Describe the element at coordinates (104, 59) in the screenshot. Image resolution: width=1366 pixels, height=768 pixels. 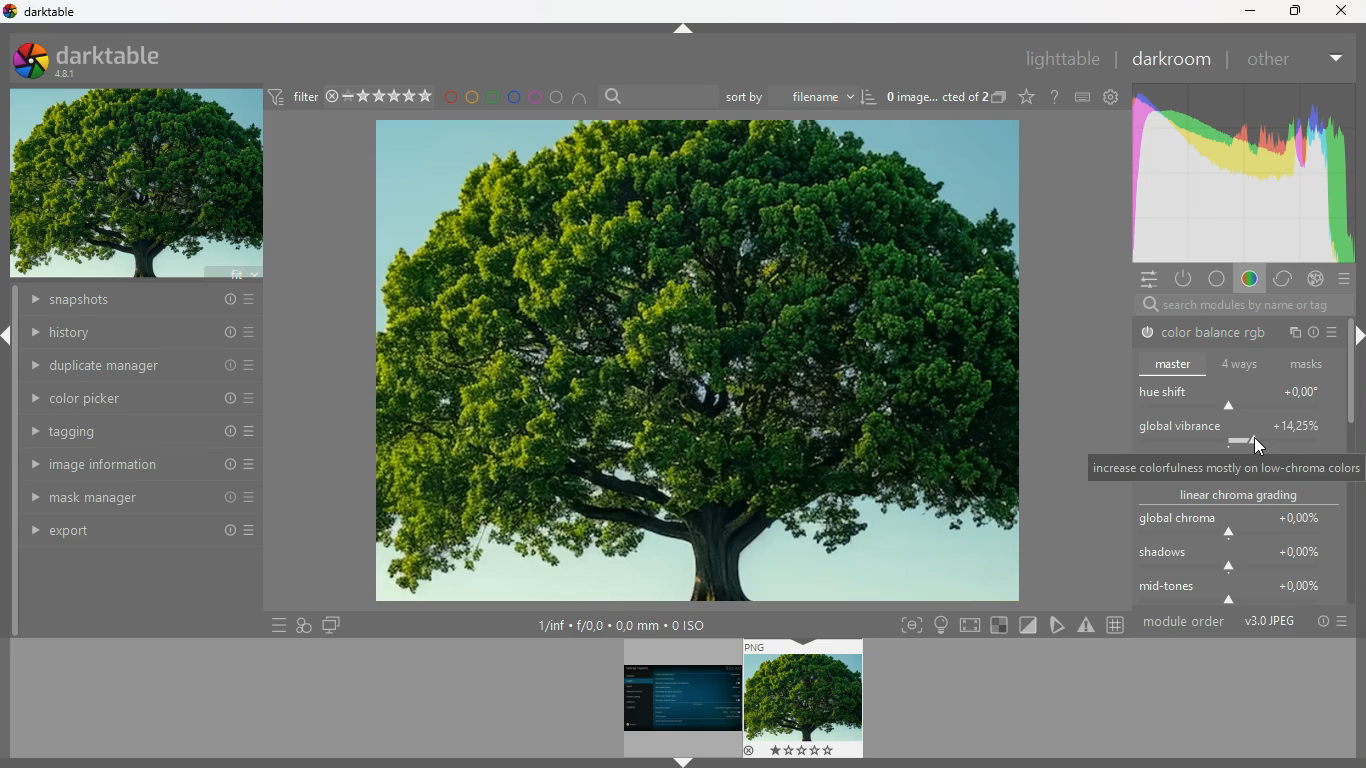
I see `darktable` at that location.